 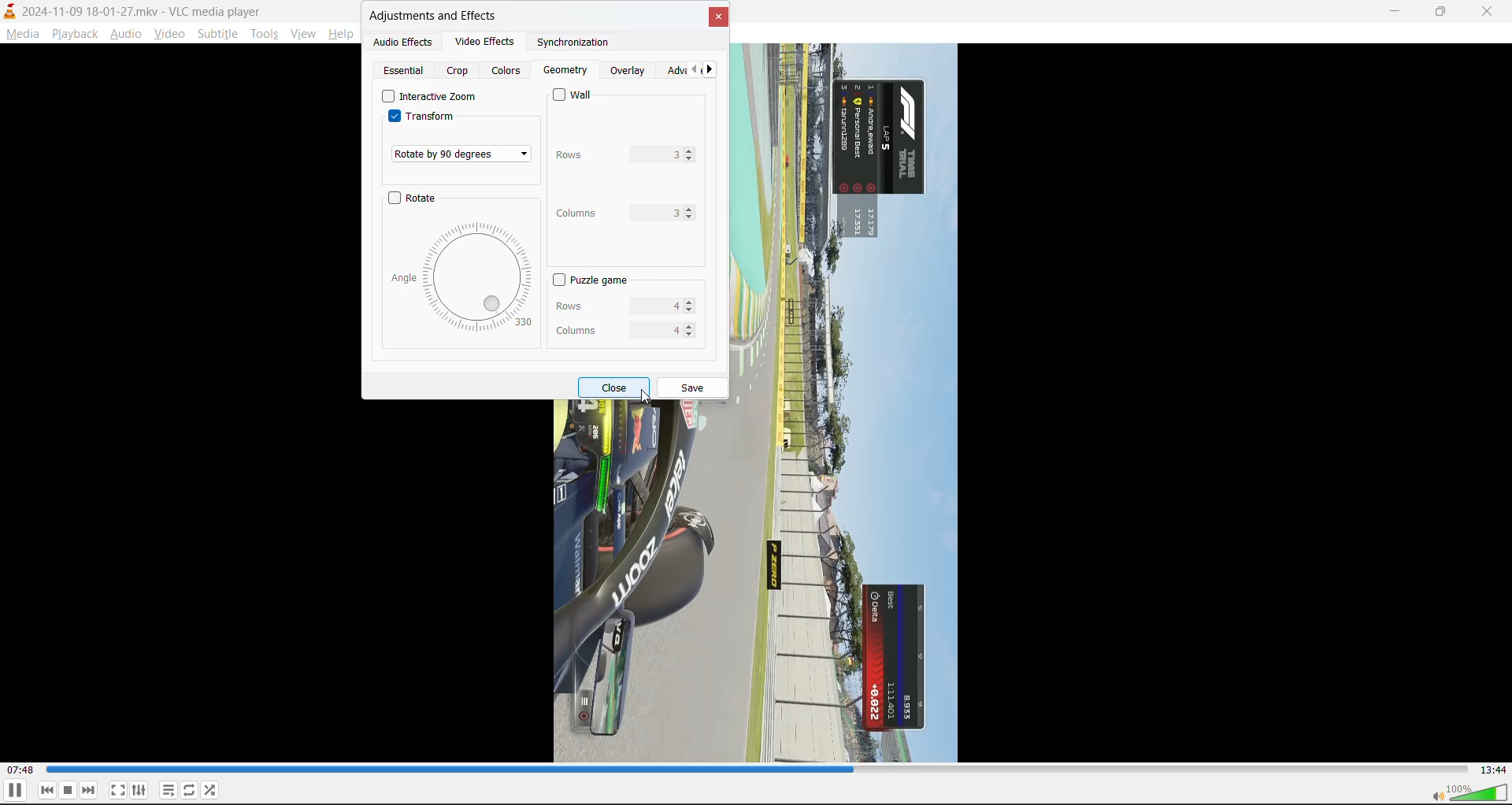 I want to click on current track time, so click(x=23, y=770).